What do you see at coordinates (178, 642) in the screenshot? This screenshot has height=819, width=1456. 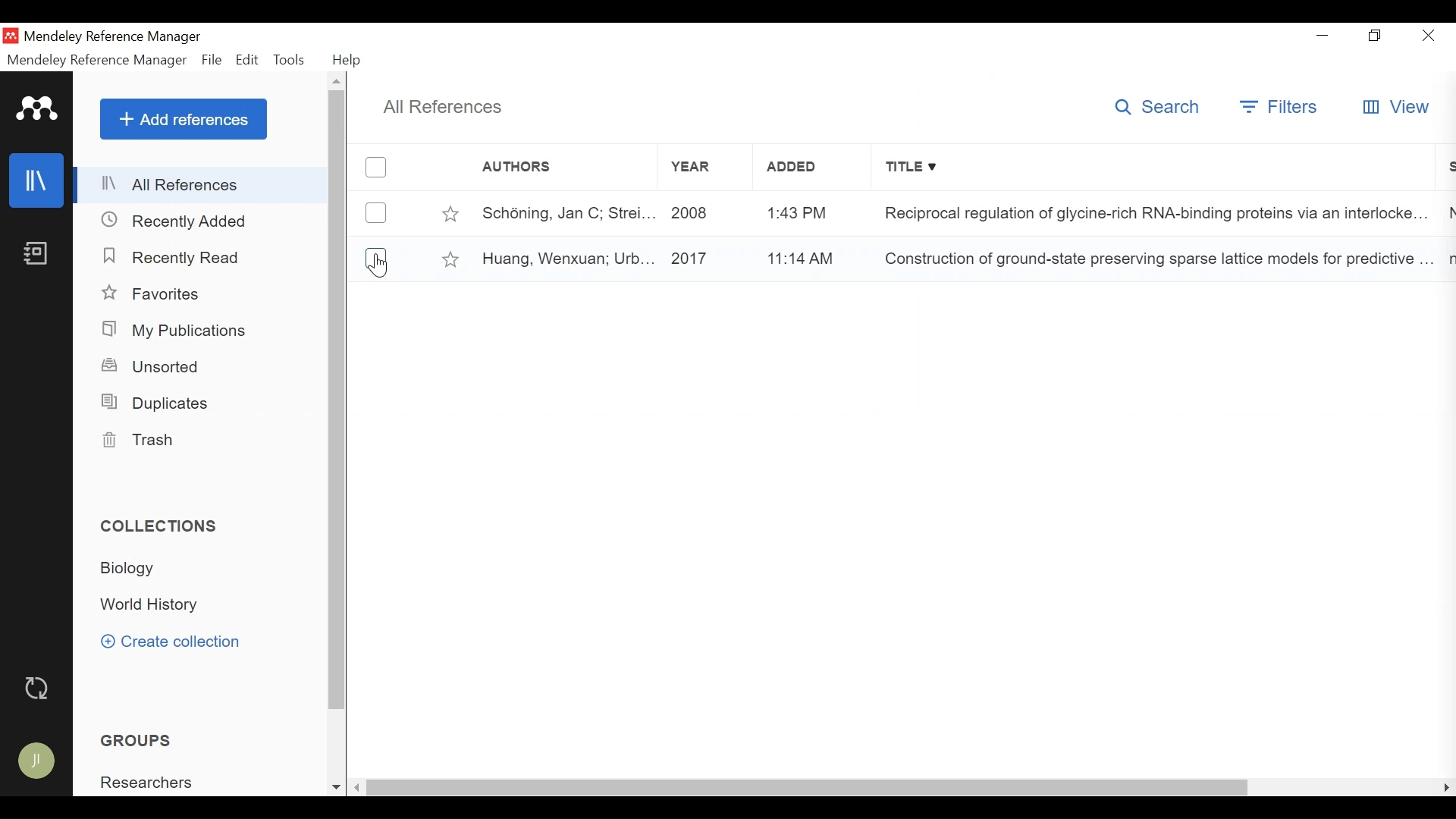 I see `Create Collection` at bounding box center [178, 642].